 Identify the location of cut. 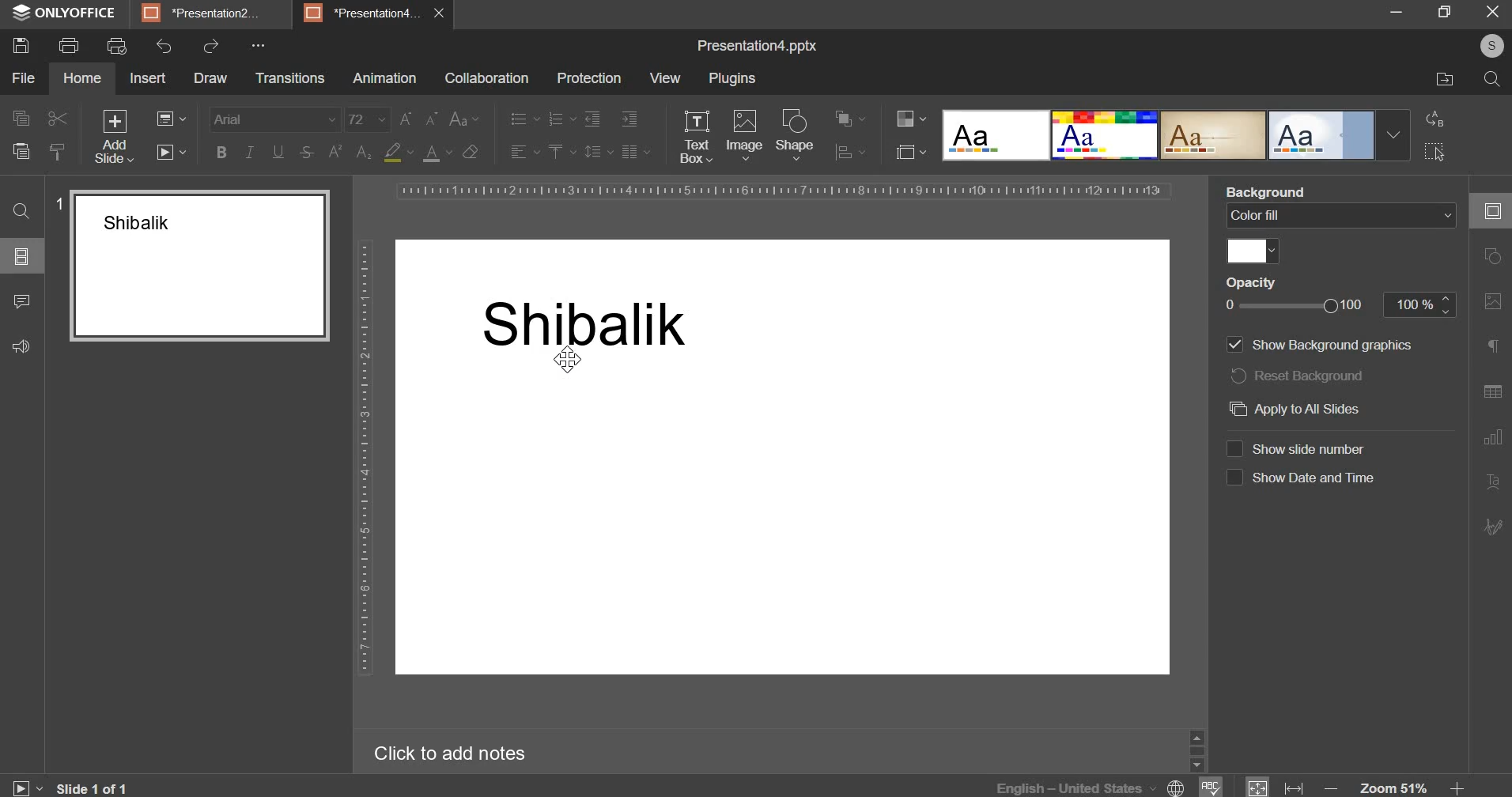
(57, 119).